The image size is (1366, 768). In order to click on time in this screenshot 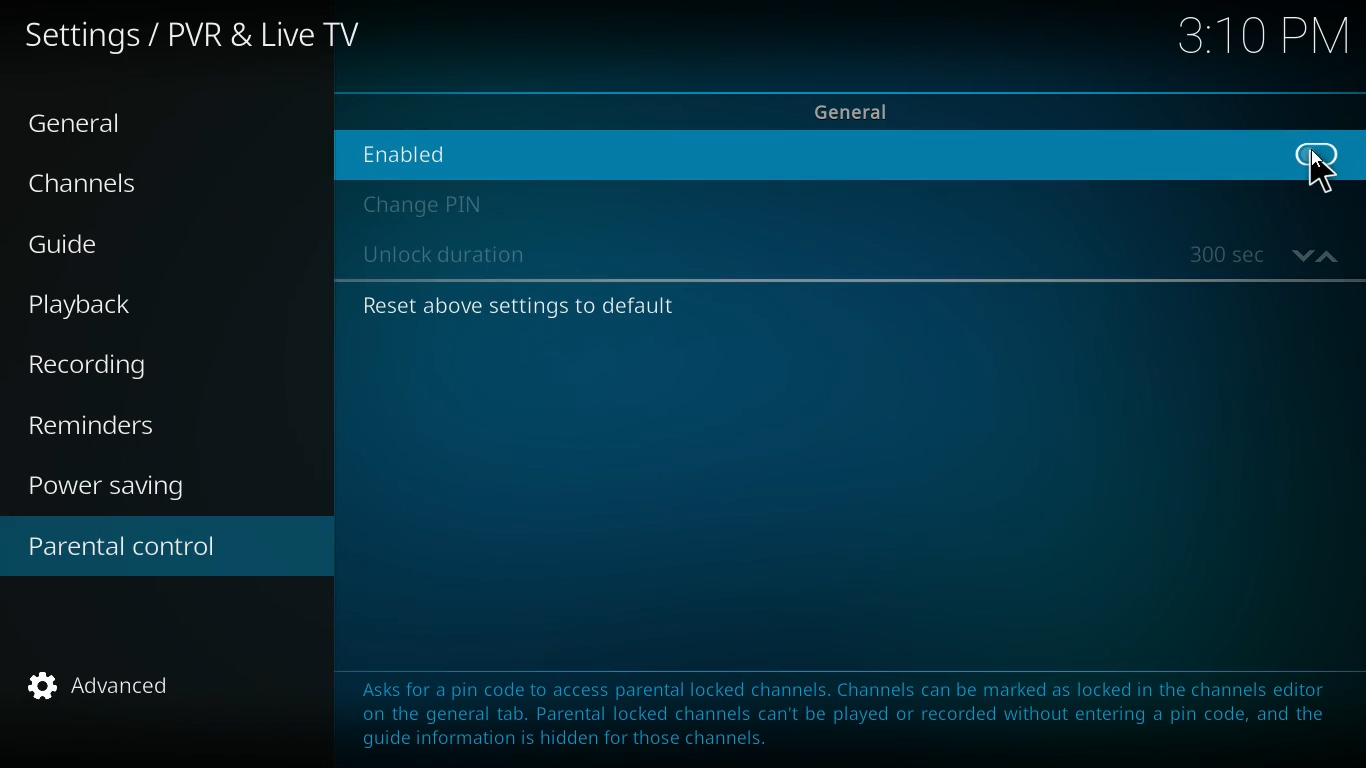, I will do `click(1264, 255)`.